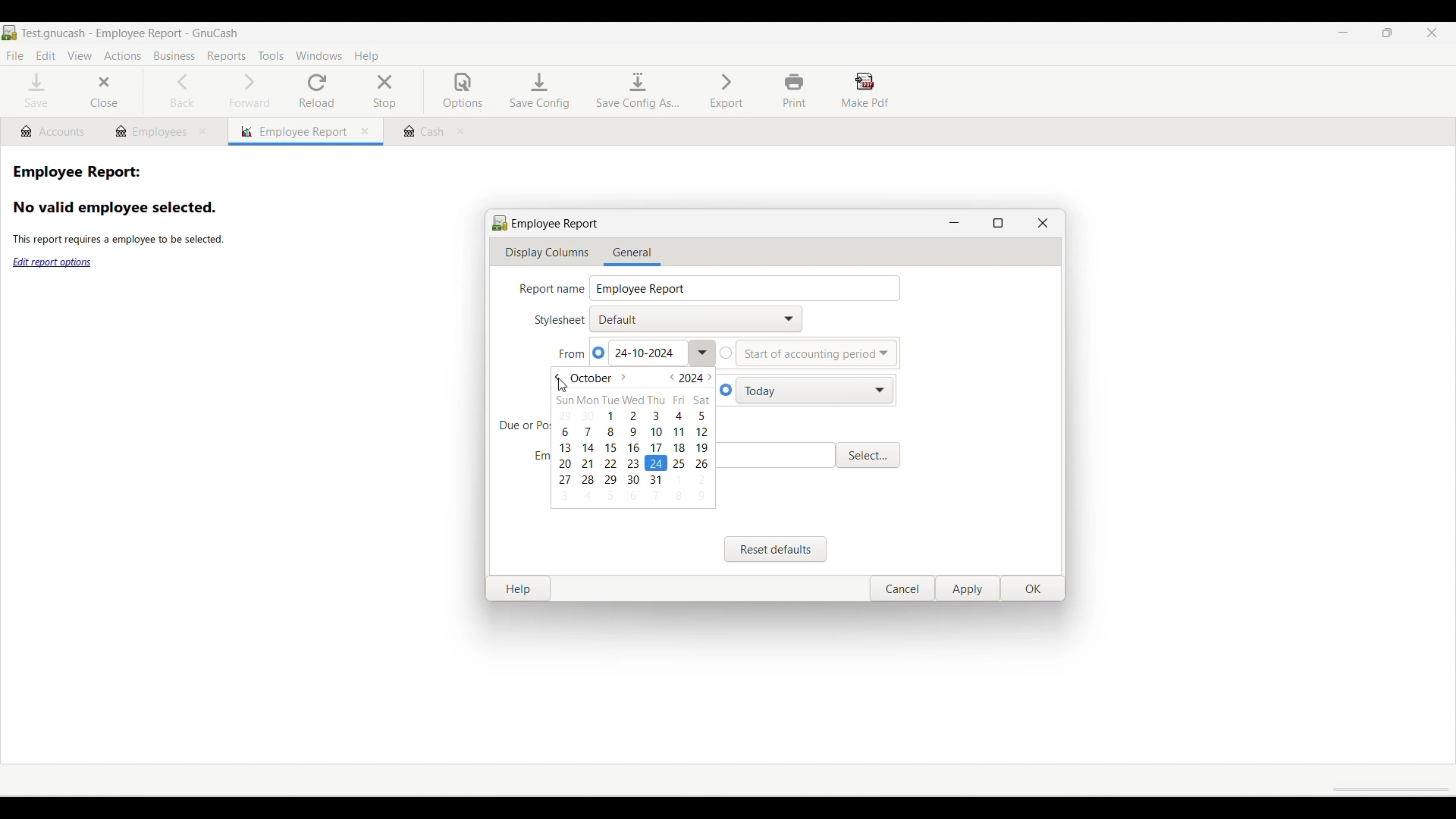  I want to click on Cursor clicking on previous month option, so click(562, 386).